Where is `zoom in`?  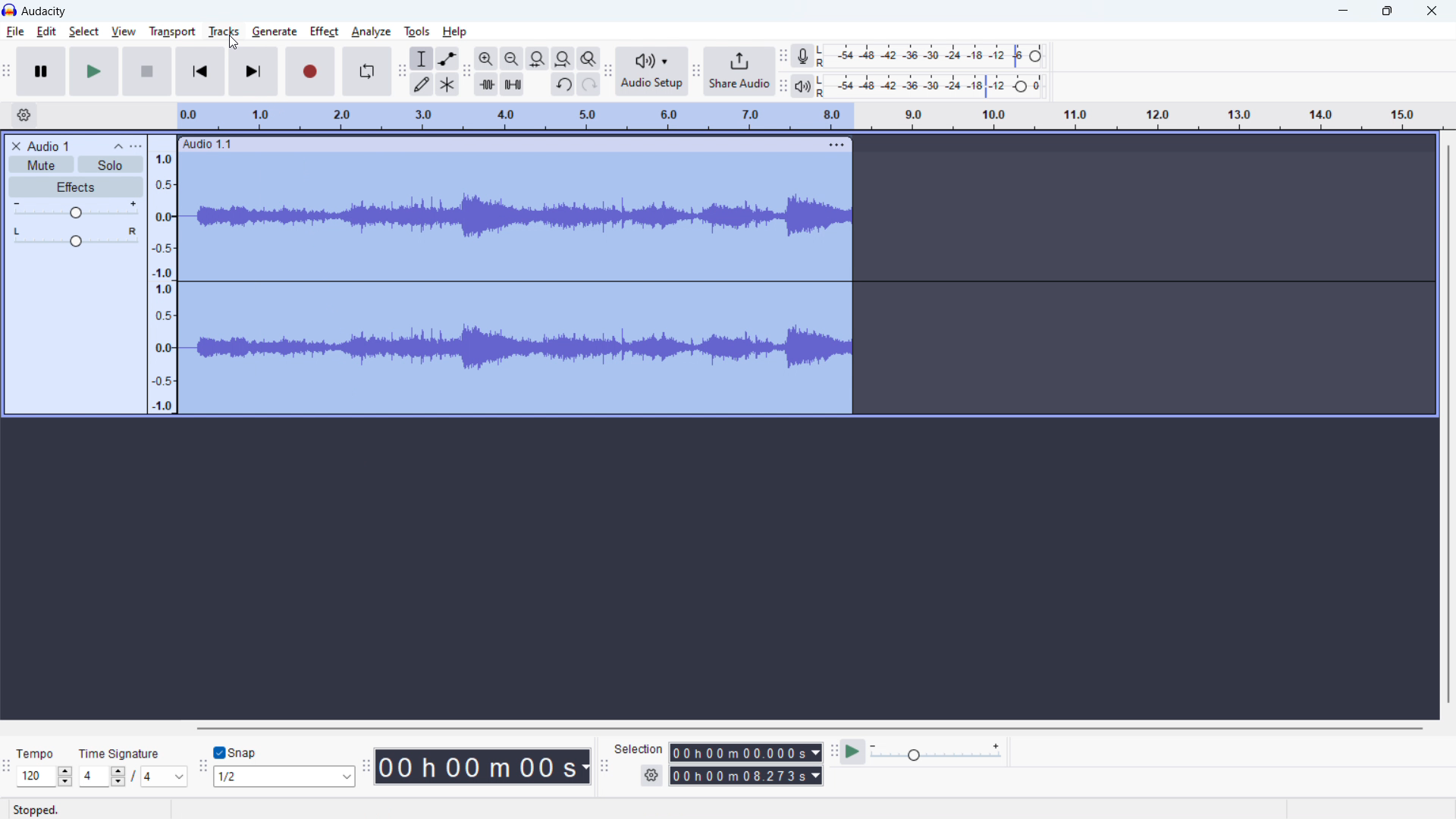
zoom in is located at coordinates (486, 58).